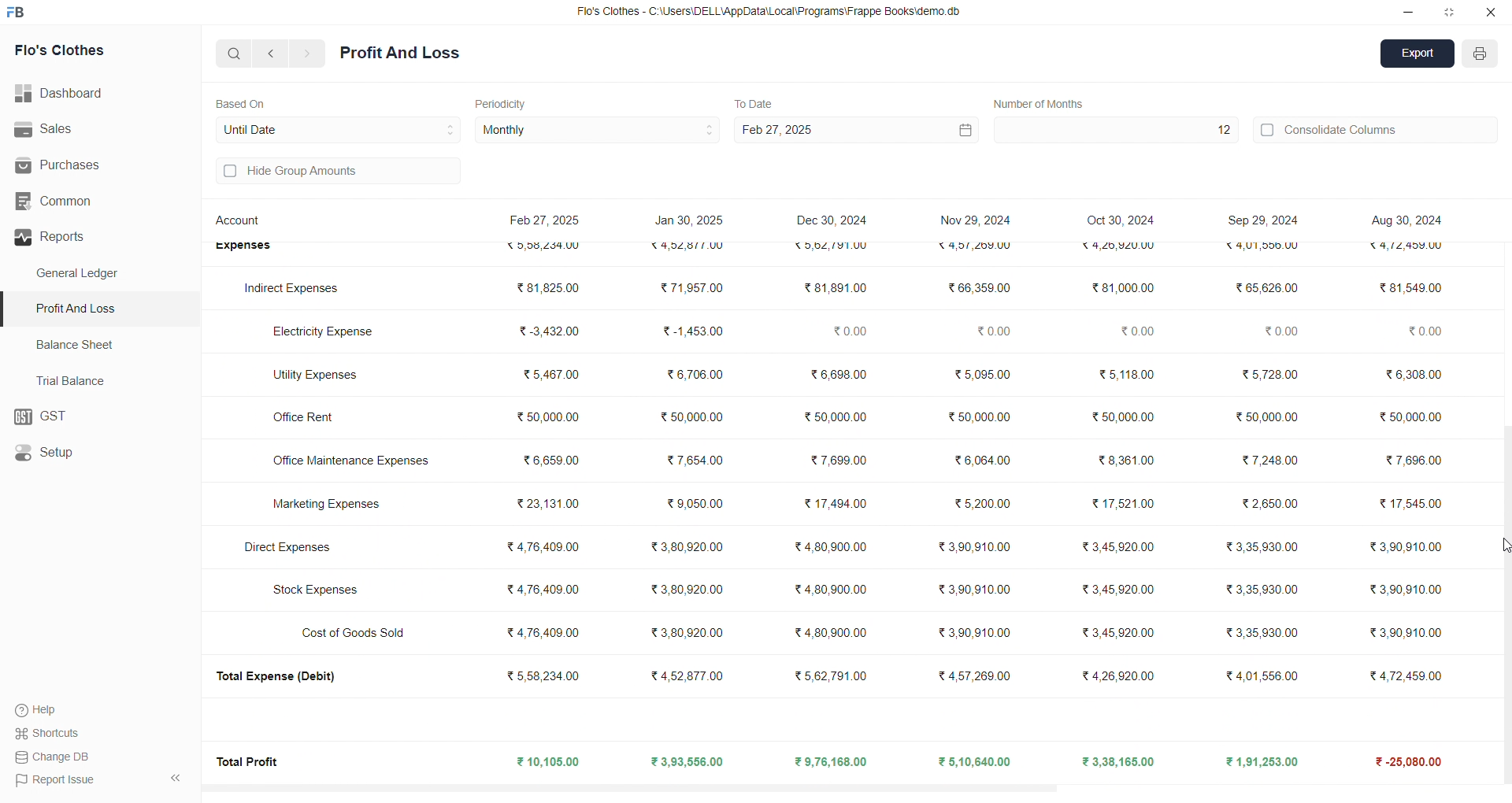  I want to click on Indirect Expenses, so click(293, 289).